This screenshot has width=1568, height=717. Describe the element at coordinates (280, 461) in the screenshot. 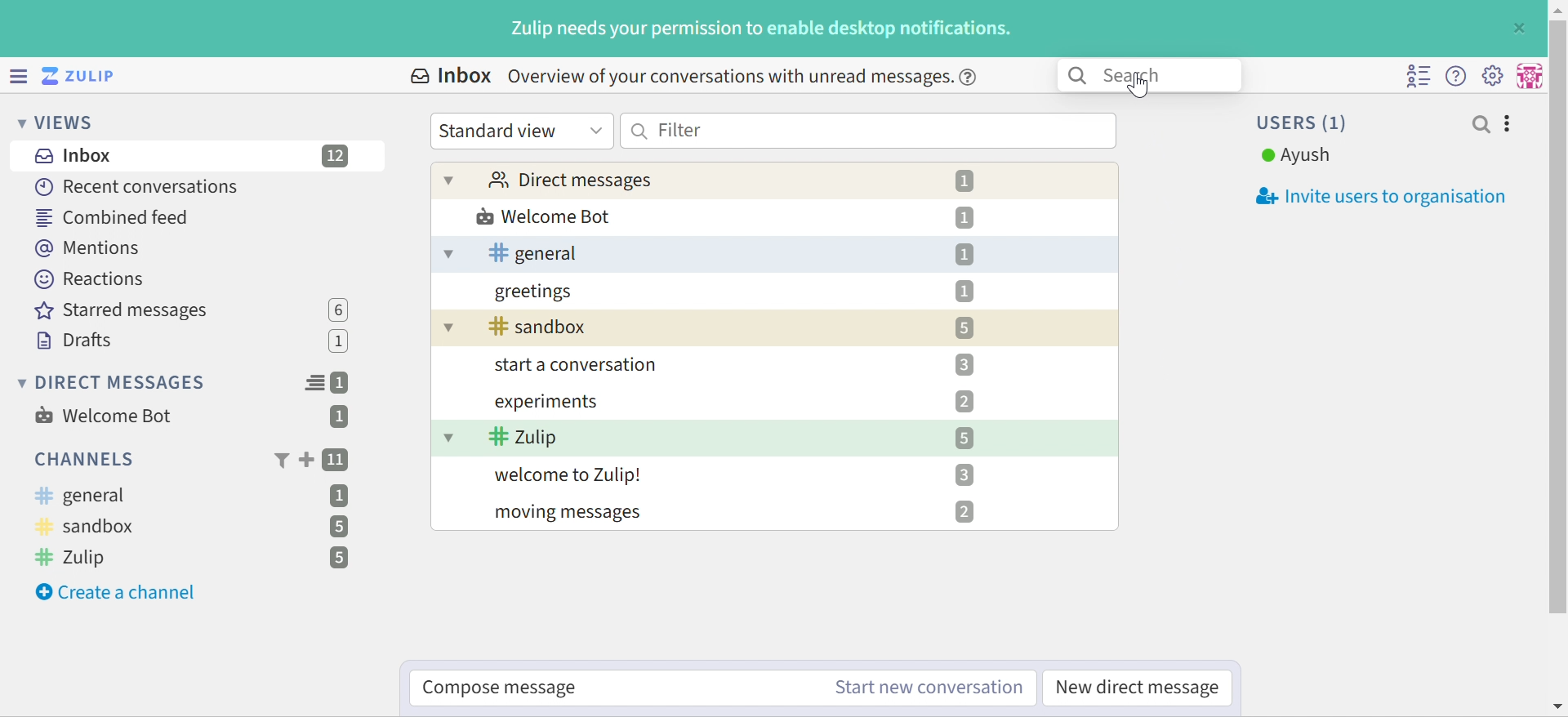

I see `Filter channels` at that location.